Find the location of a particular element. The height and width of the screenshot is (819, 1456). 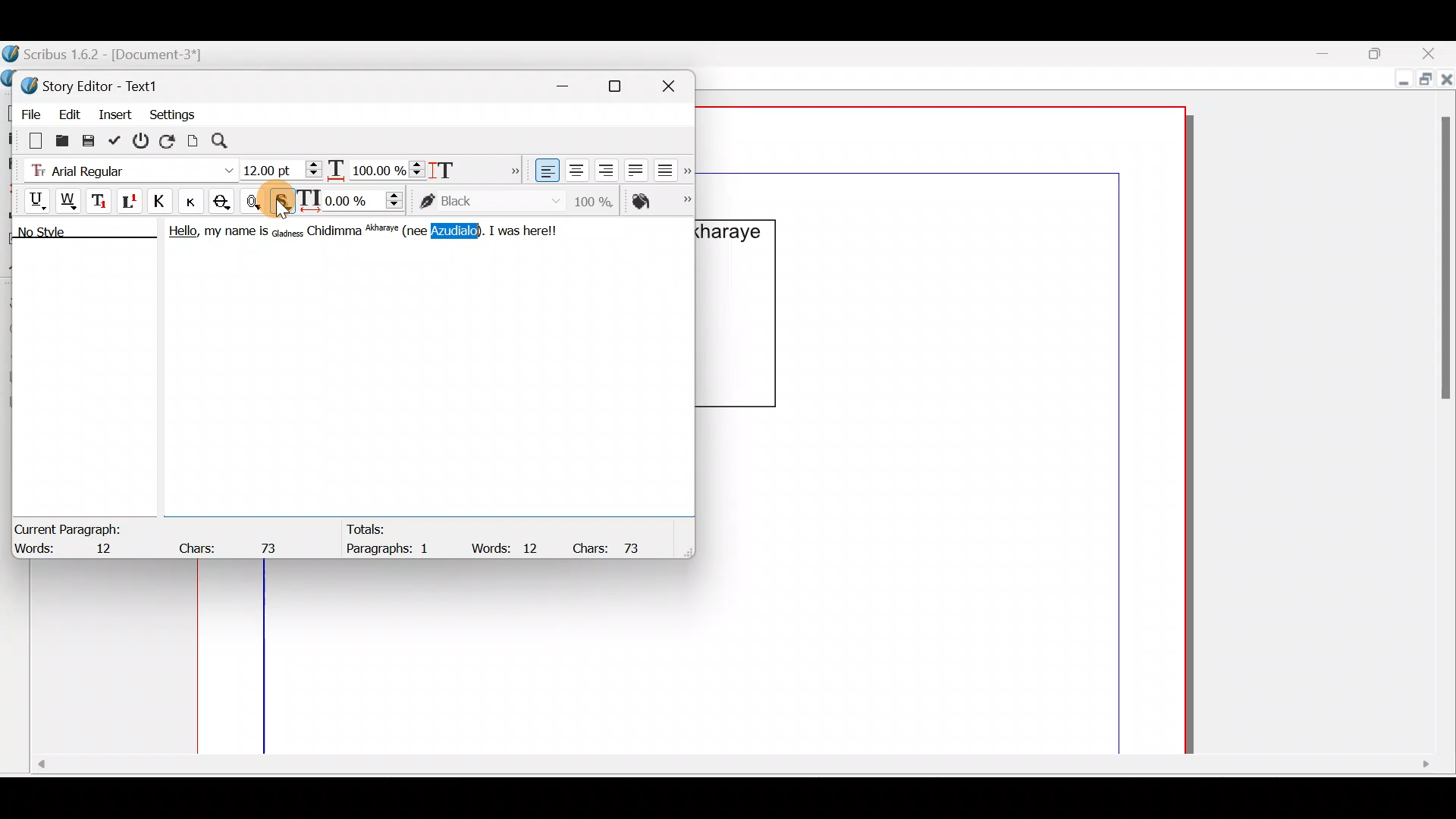

Reload text from frame is located at coordinates (169, 140).